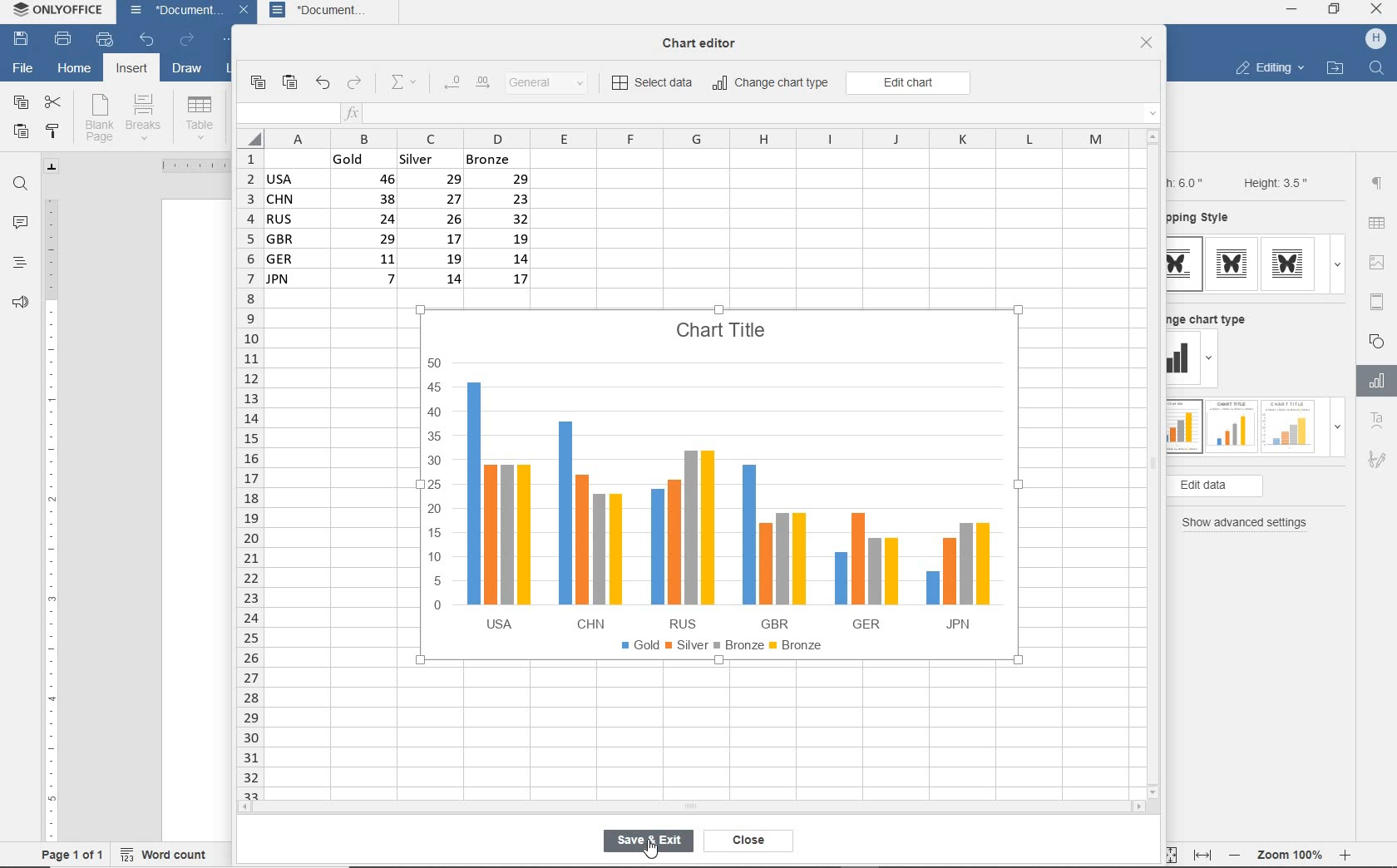  What do you see at coordinates (1237, 855) in the screenshot?
I see `zoom out` at bounding box center [1237, 855].